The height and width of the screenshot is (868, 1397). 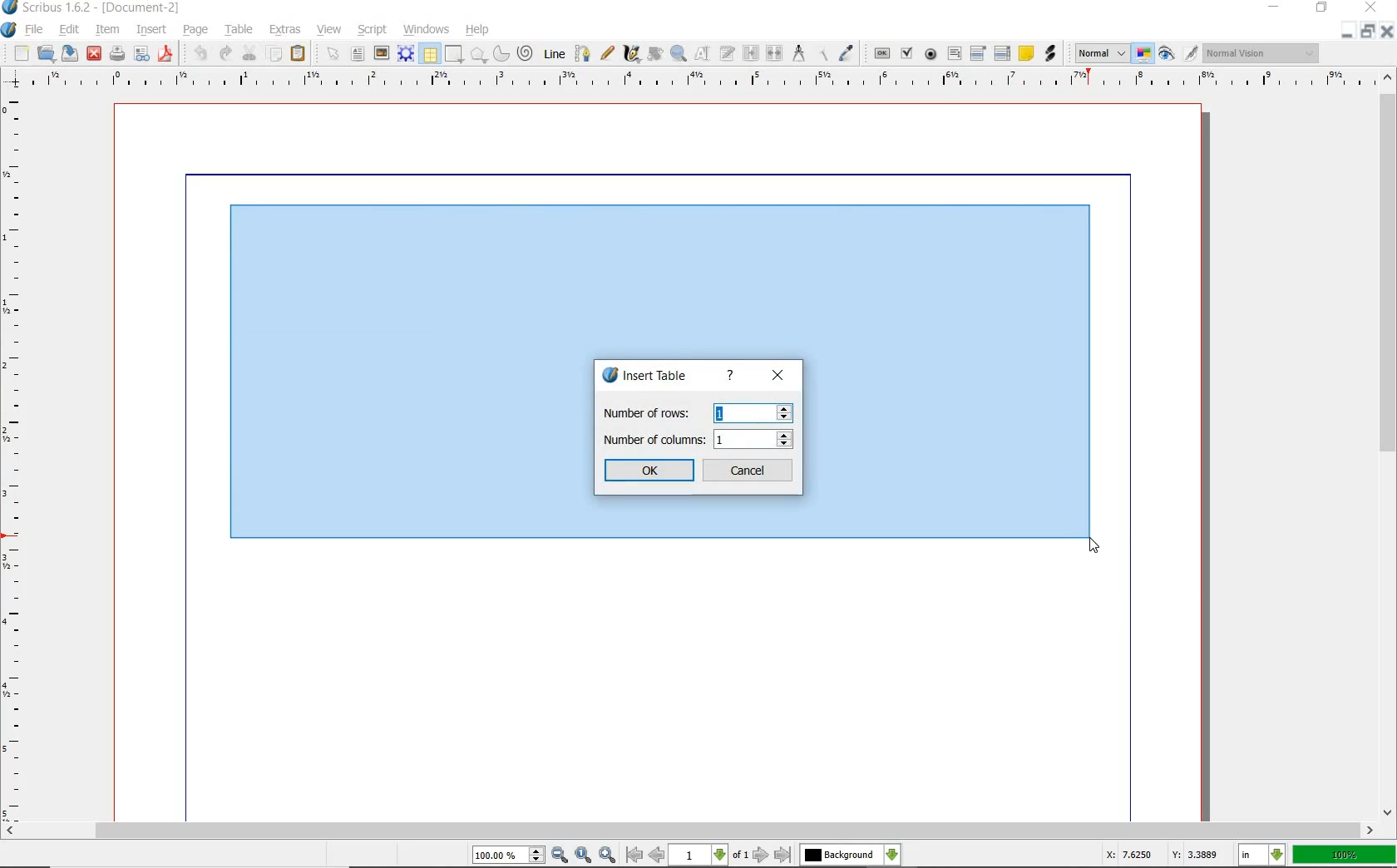 What do you see at coordinates (699, 55) in the screenshot?
I see `edit contents of frame` at bounding box center [699, 55].